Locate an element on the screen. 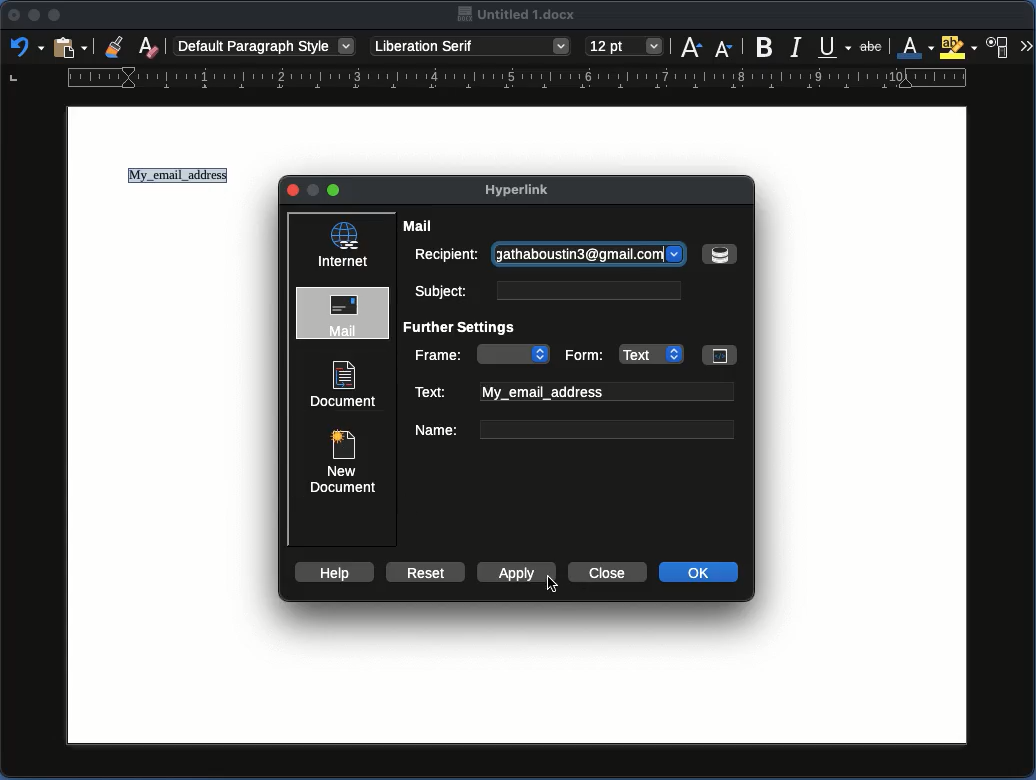 This screenshot has height=780, width=1036. Text is located at coordinates (574, 392).